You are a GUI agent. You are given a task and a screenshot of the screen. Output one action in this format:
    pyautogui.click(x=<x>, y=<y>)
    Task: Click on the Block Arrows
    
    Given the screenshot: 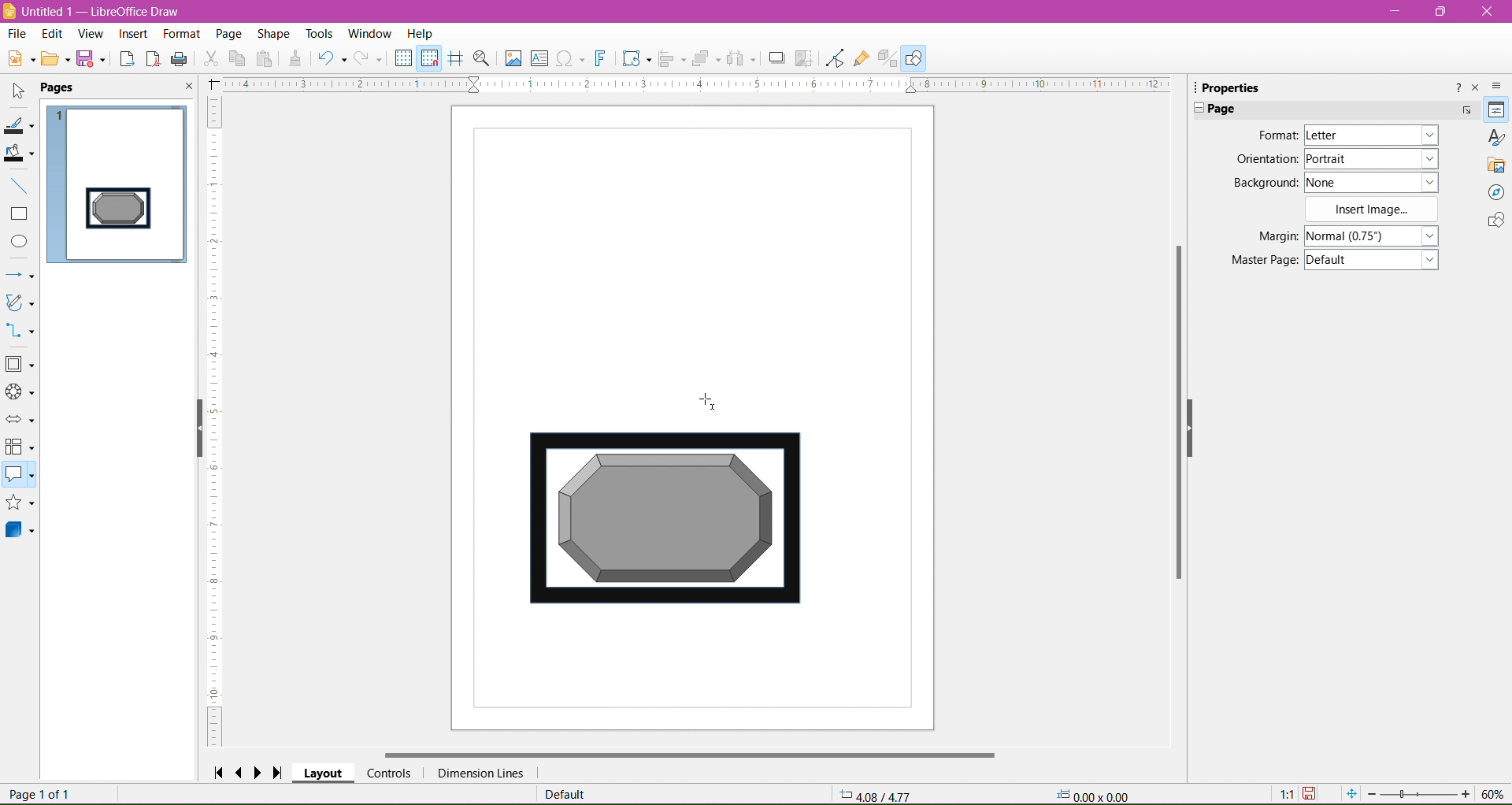 What is the action you would take?
    pyautogui.click(x=20, y=420)
    